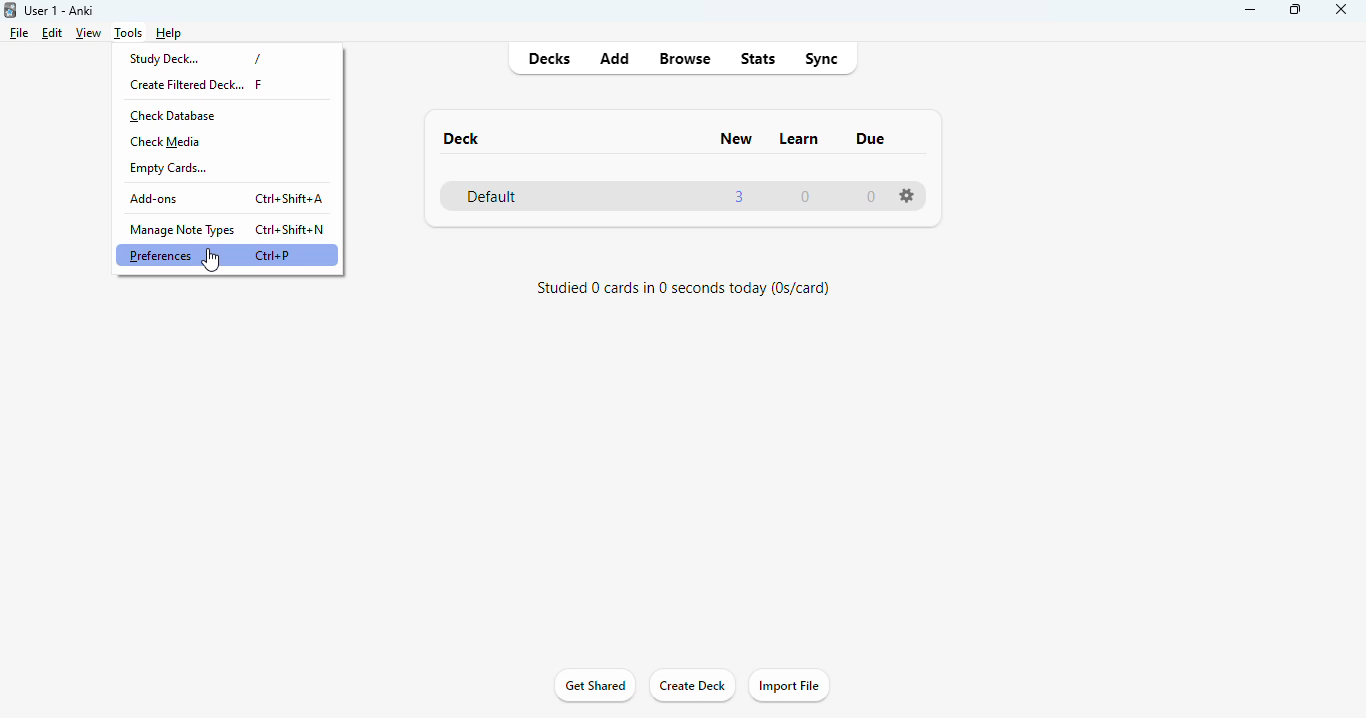  I want to click on close, so click(1341, 12).